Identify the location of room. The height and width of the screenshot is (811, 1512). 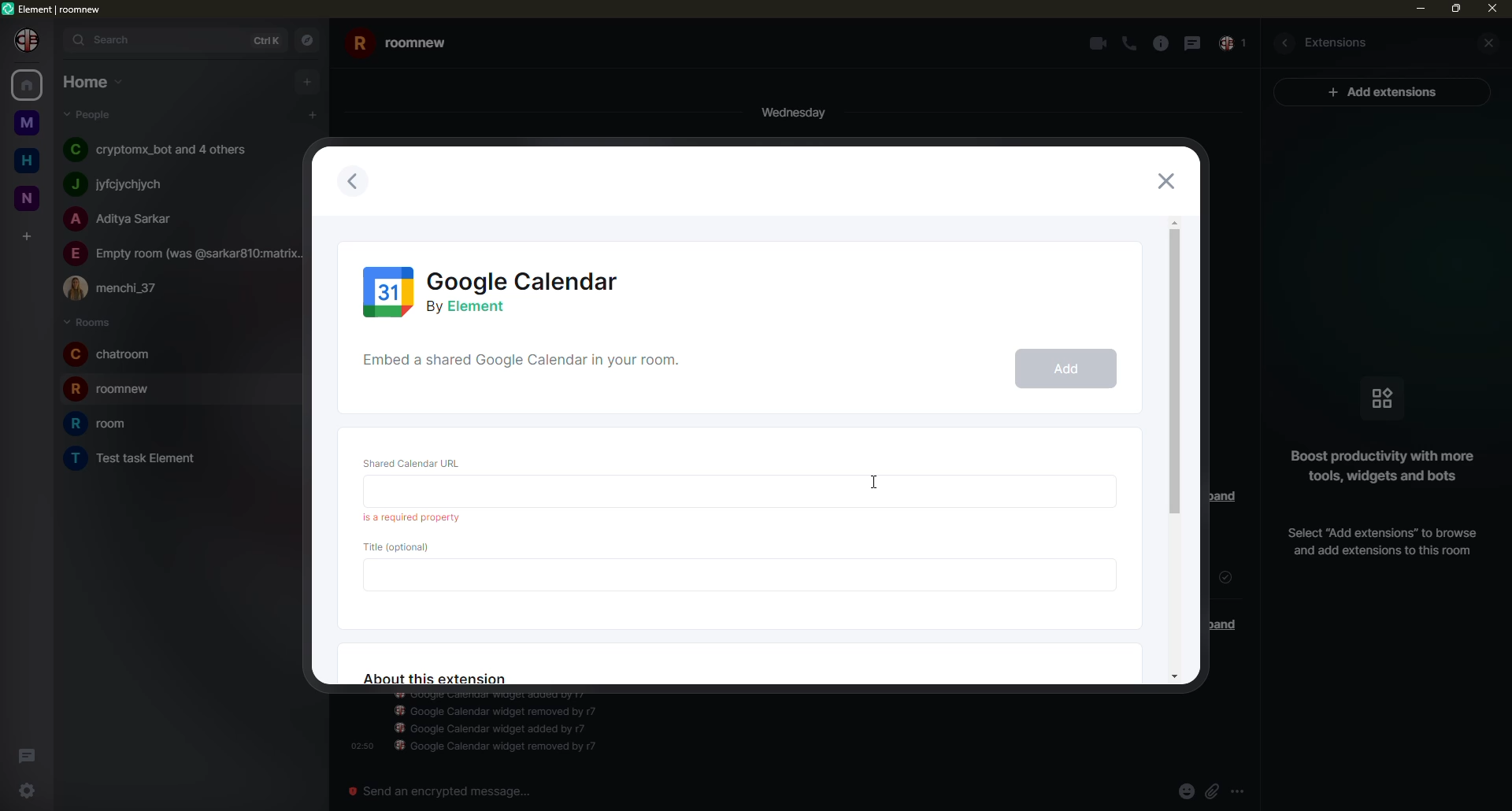
(400, 45).